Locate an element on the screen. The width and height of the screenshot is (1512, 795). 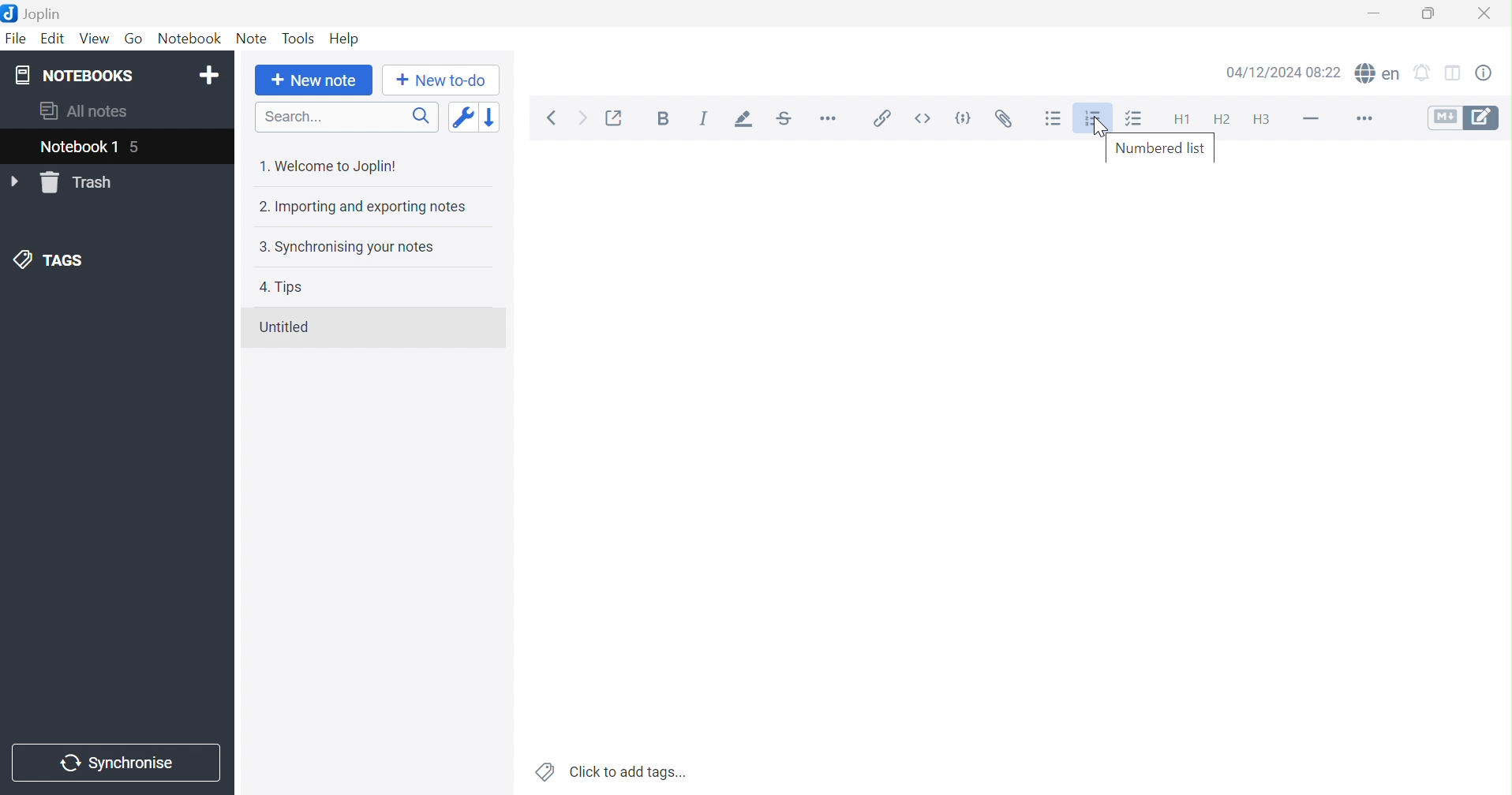
Click to add tags is located at coordinates (612, 770).